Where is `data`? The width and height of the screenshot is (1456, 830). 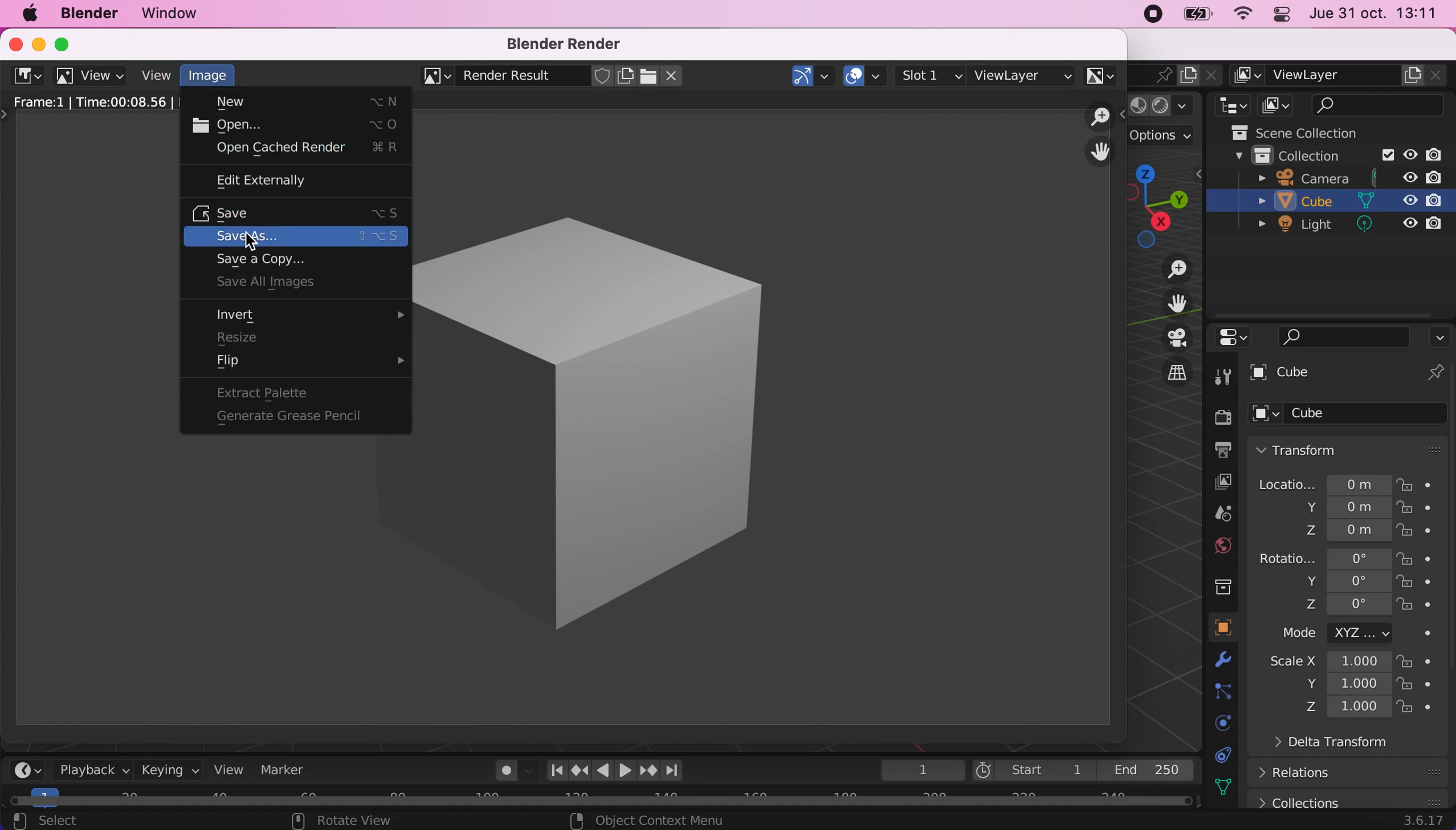 data is located at coordinates (1227, 755).